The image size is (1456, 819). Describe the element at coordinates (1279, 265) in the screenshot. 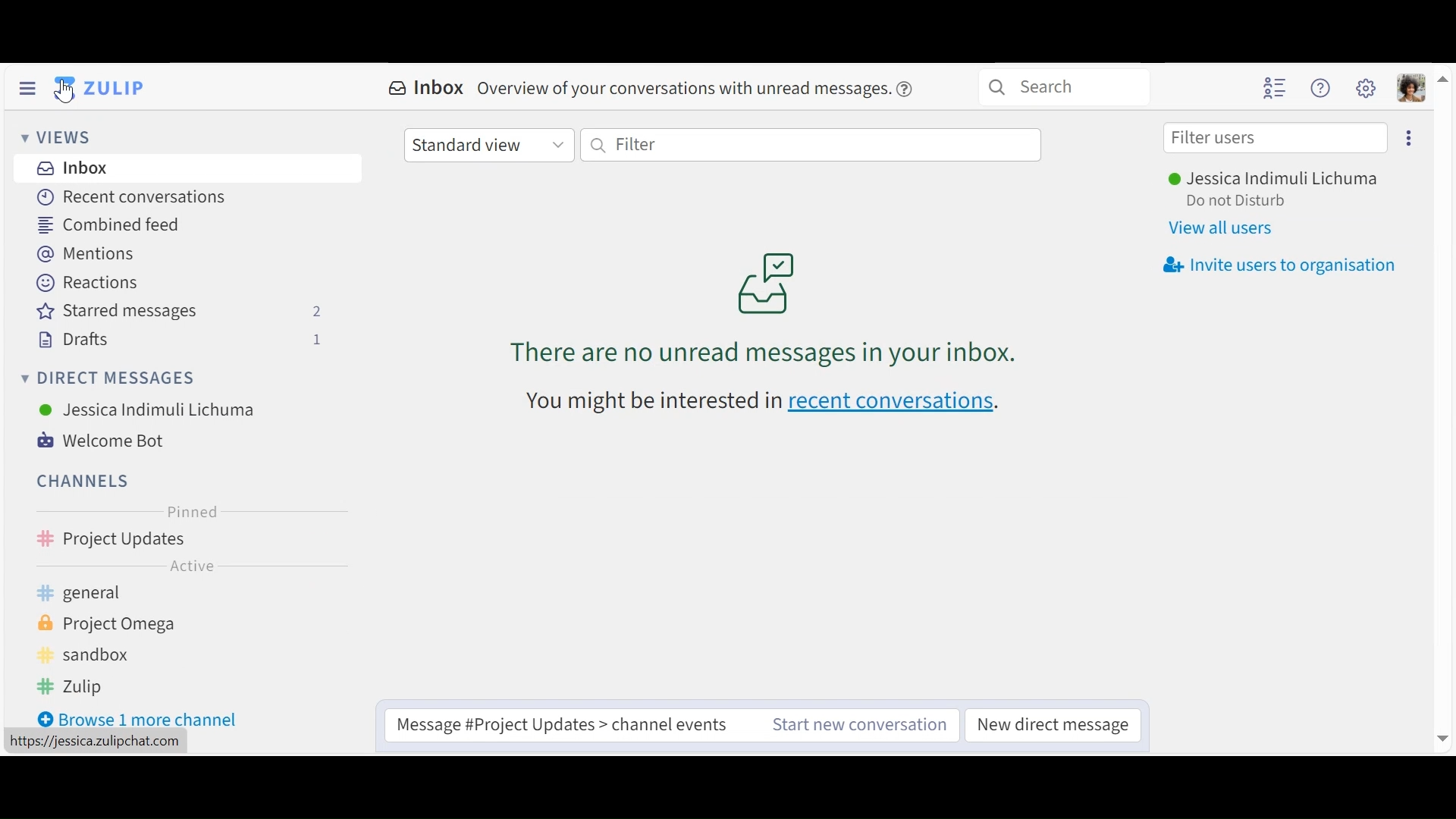

I see `Invite users to organisation` at that location.